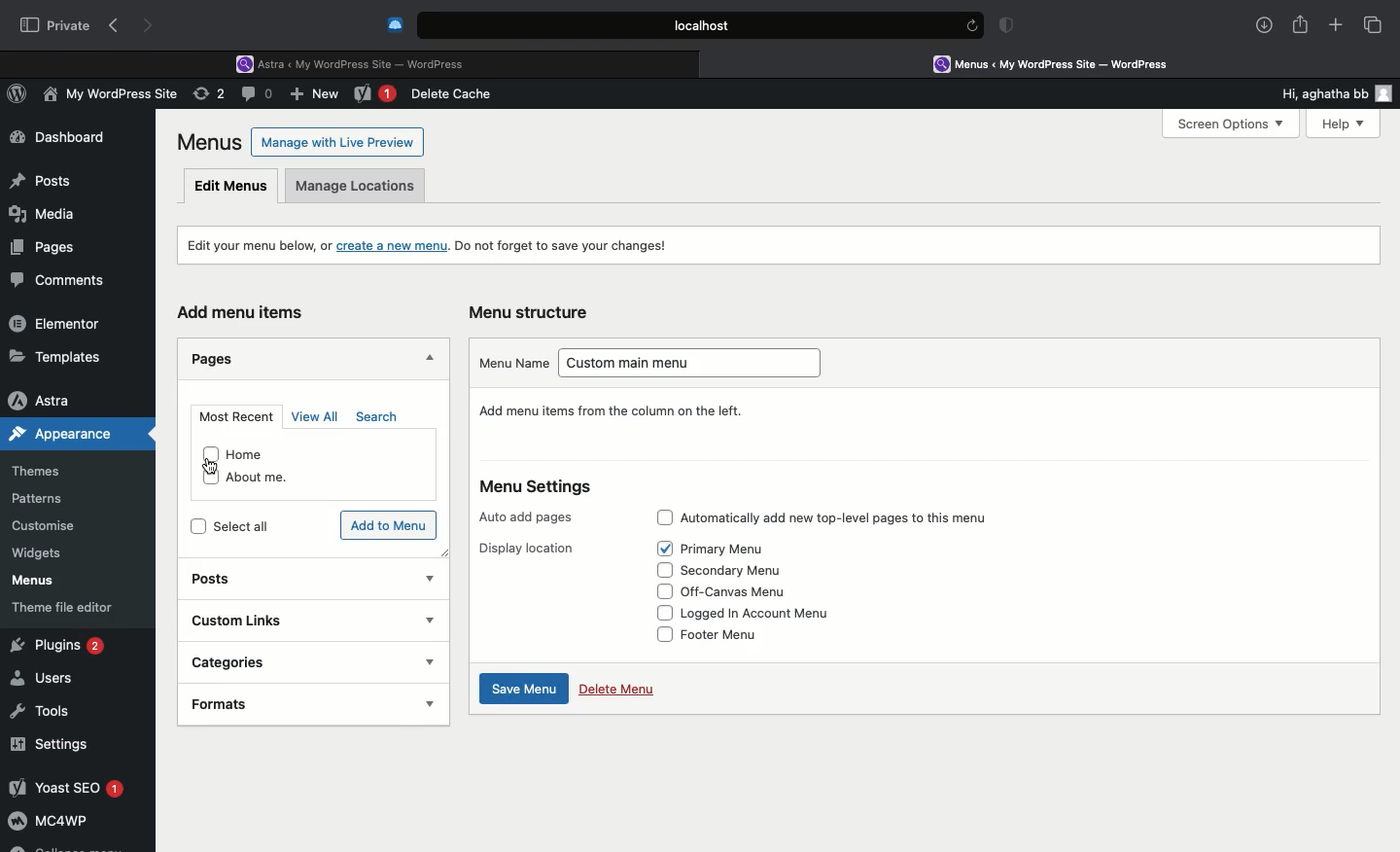 This screenshot has width=1400, height=852. Describe the element at coordinates (40, 176) in the screenshot. I see `Posts` at that location.